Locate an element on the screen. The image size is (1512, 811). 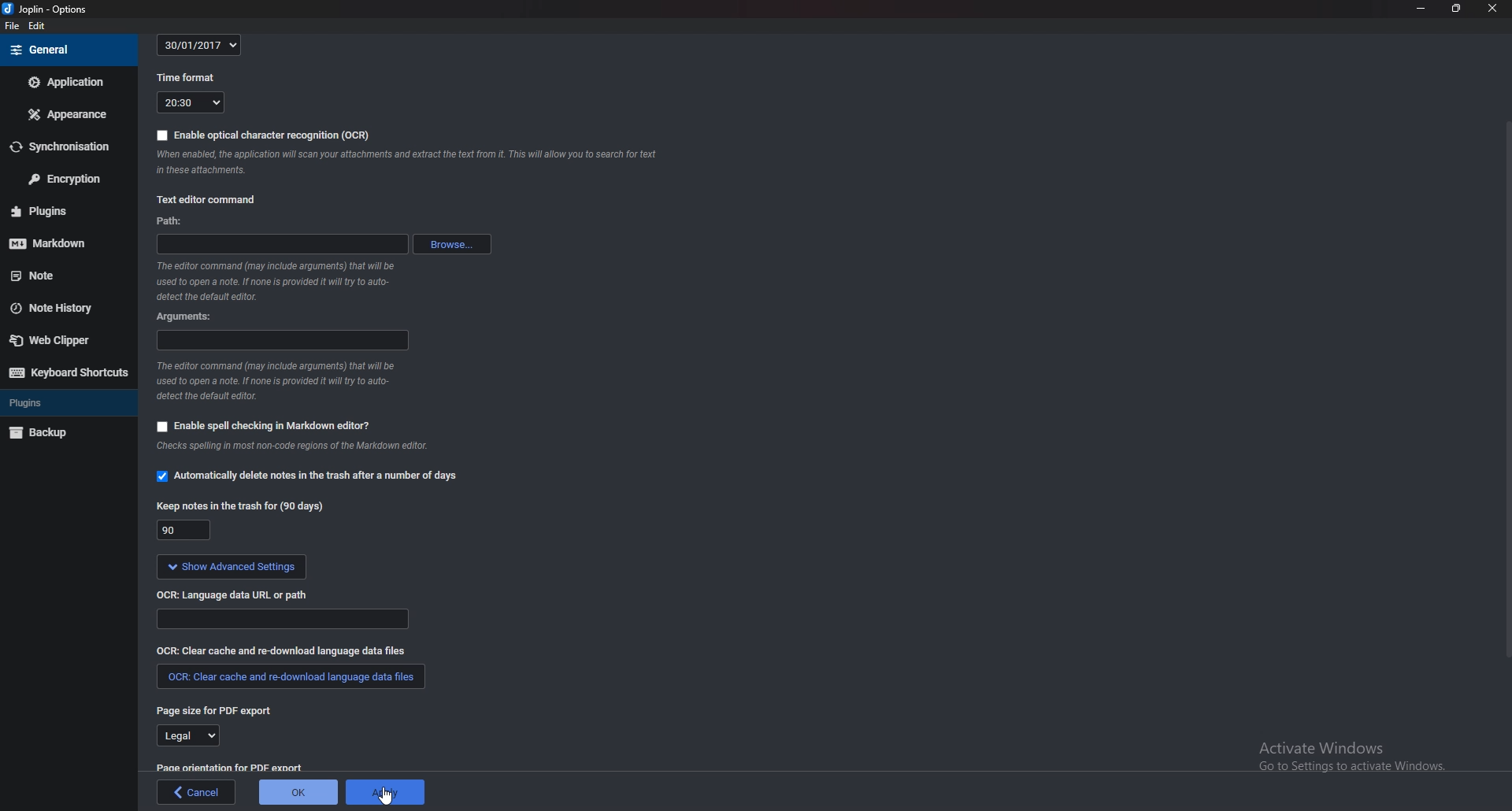
info is located at coordinates (328, 450).